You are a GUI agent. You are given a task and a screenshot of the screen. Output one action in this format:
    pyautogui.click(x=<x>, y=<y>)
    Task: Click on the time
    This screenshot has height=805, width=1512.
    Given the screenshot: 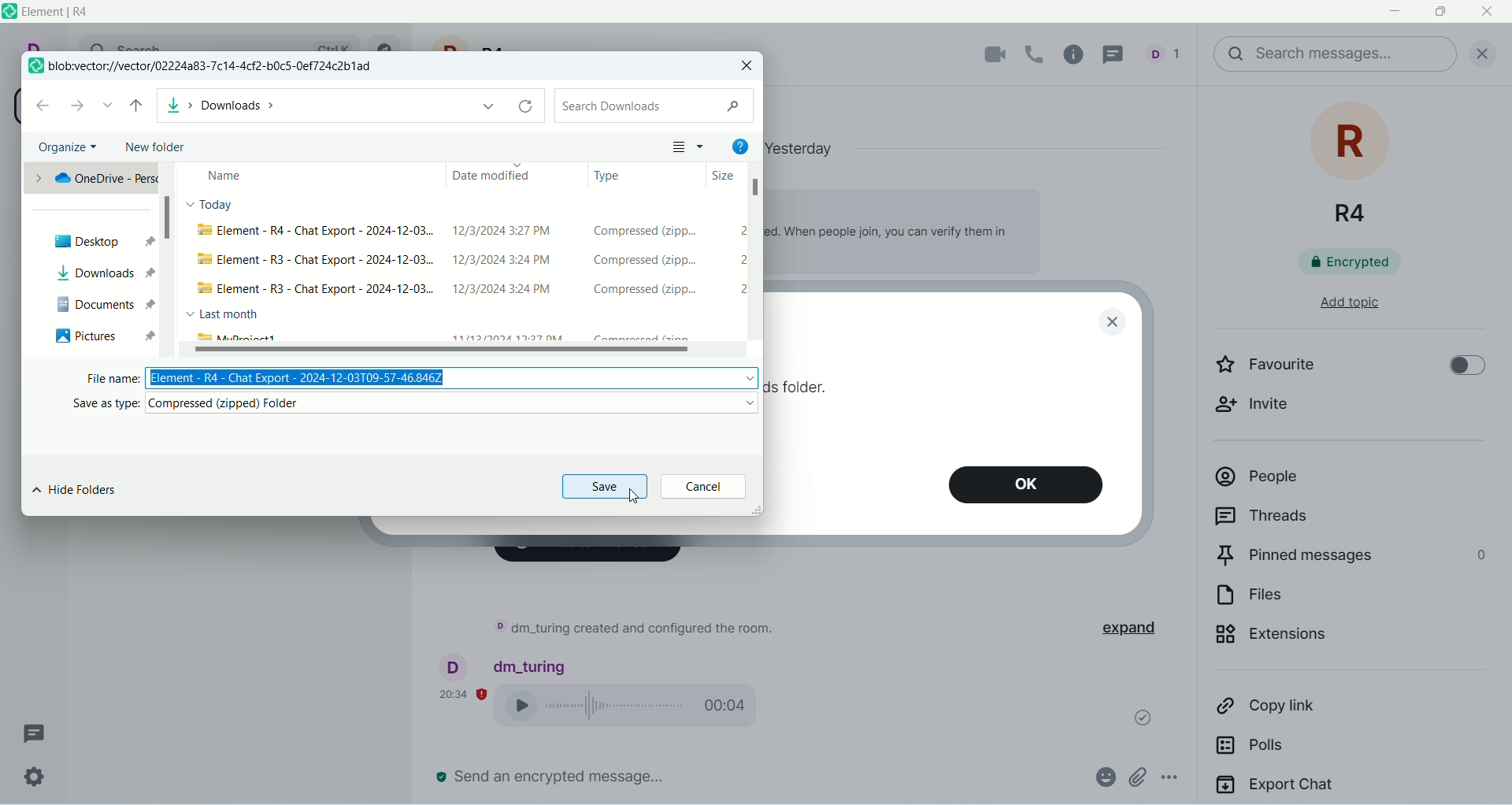 What is the action you would take?
    pyautogui.click(x=464, y=692)
    